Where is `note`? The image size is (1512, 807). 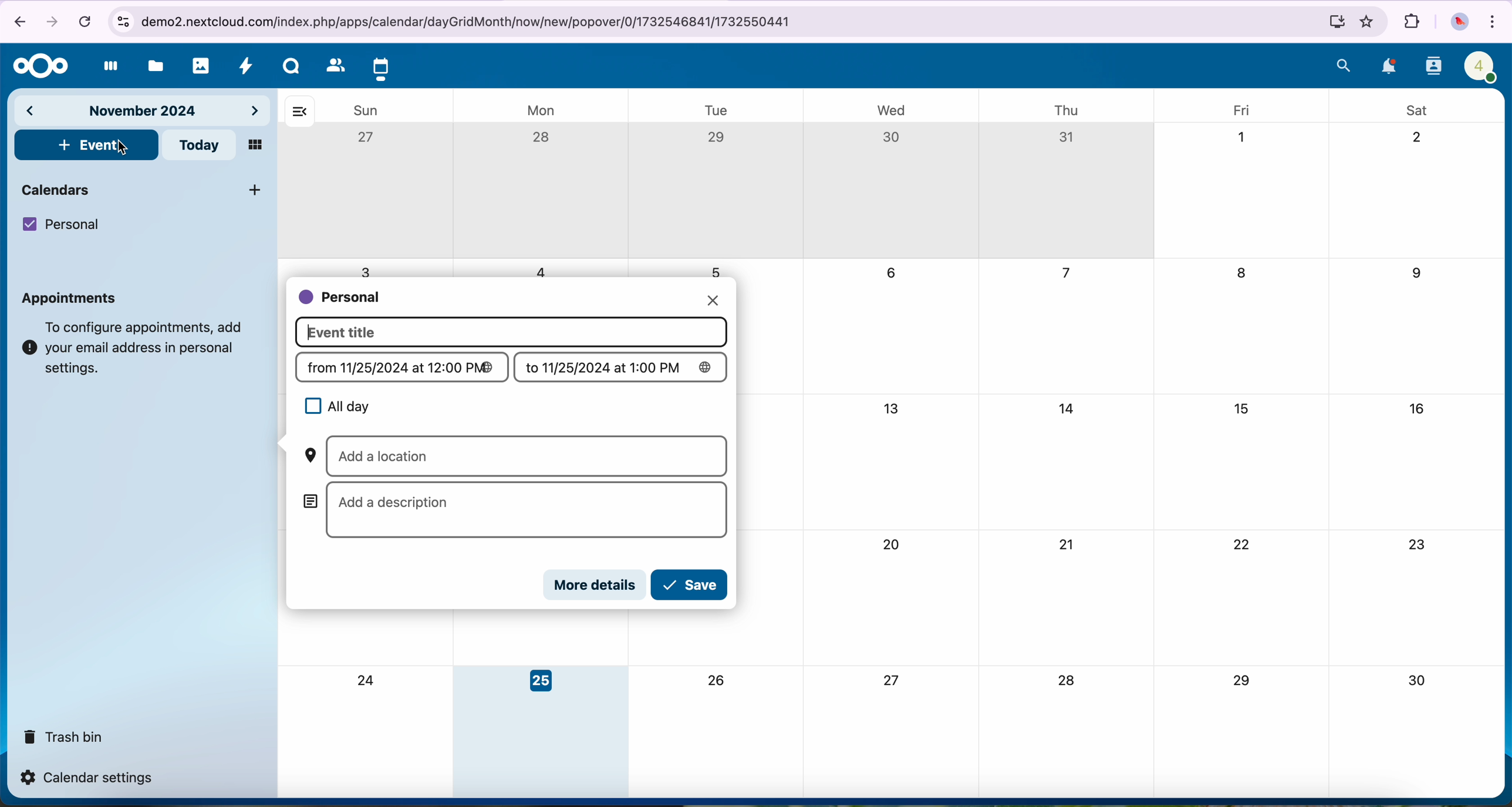 note is located at coordinates (135, 348).